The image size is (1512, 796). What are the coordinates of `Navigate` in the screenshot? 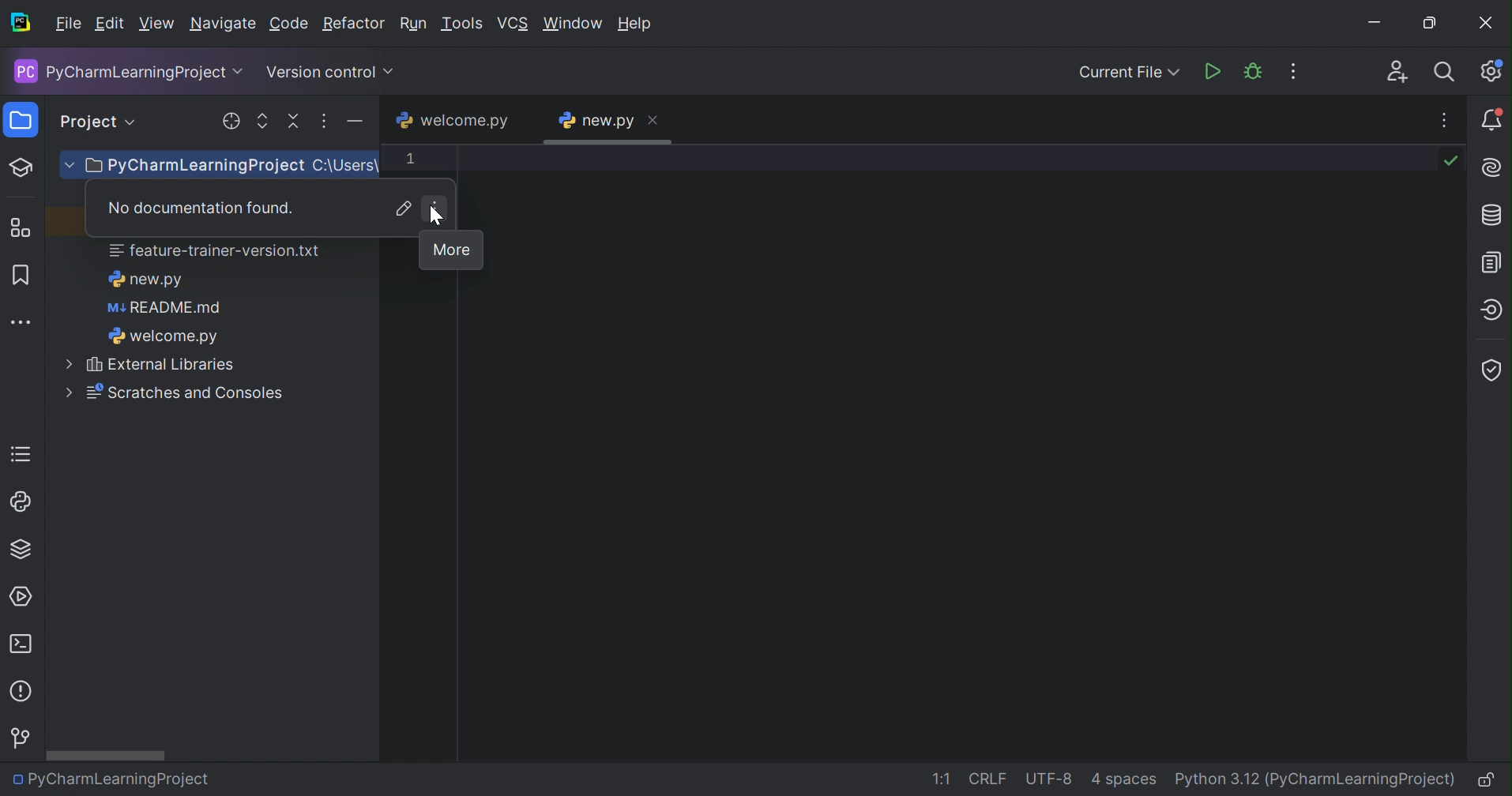 It's located at (223, 25).